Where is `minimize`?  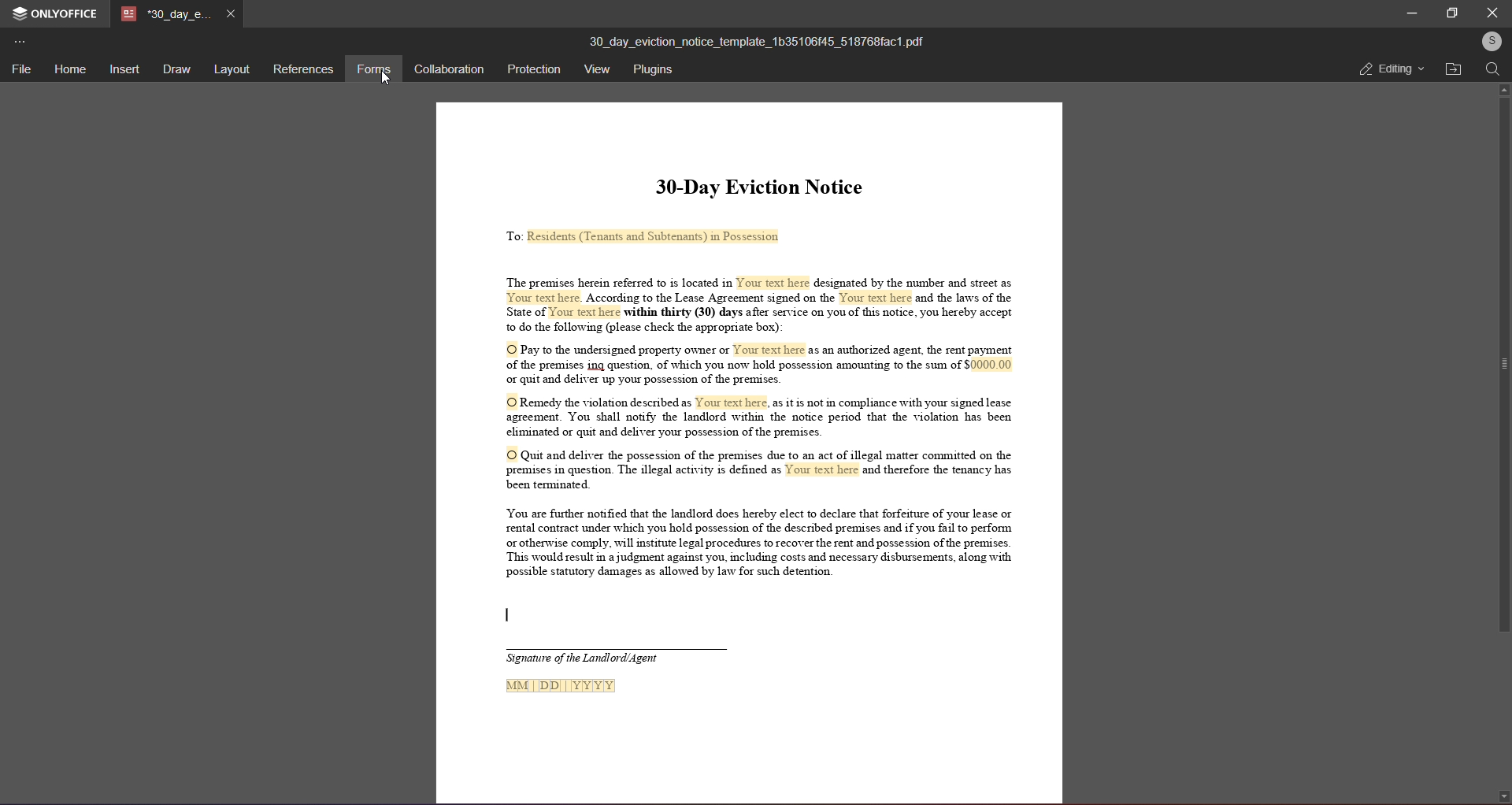
minimize is located at coordinates (1404, 12).